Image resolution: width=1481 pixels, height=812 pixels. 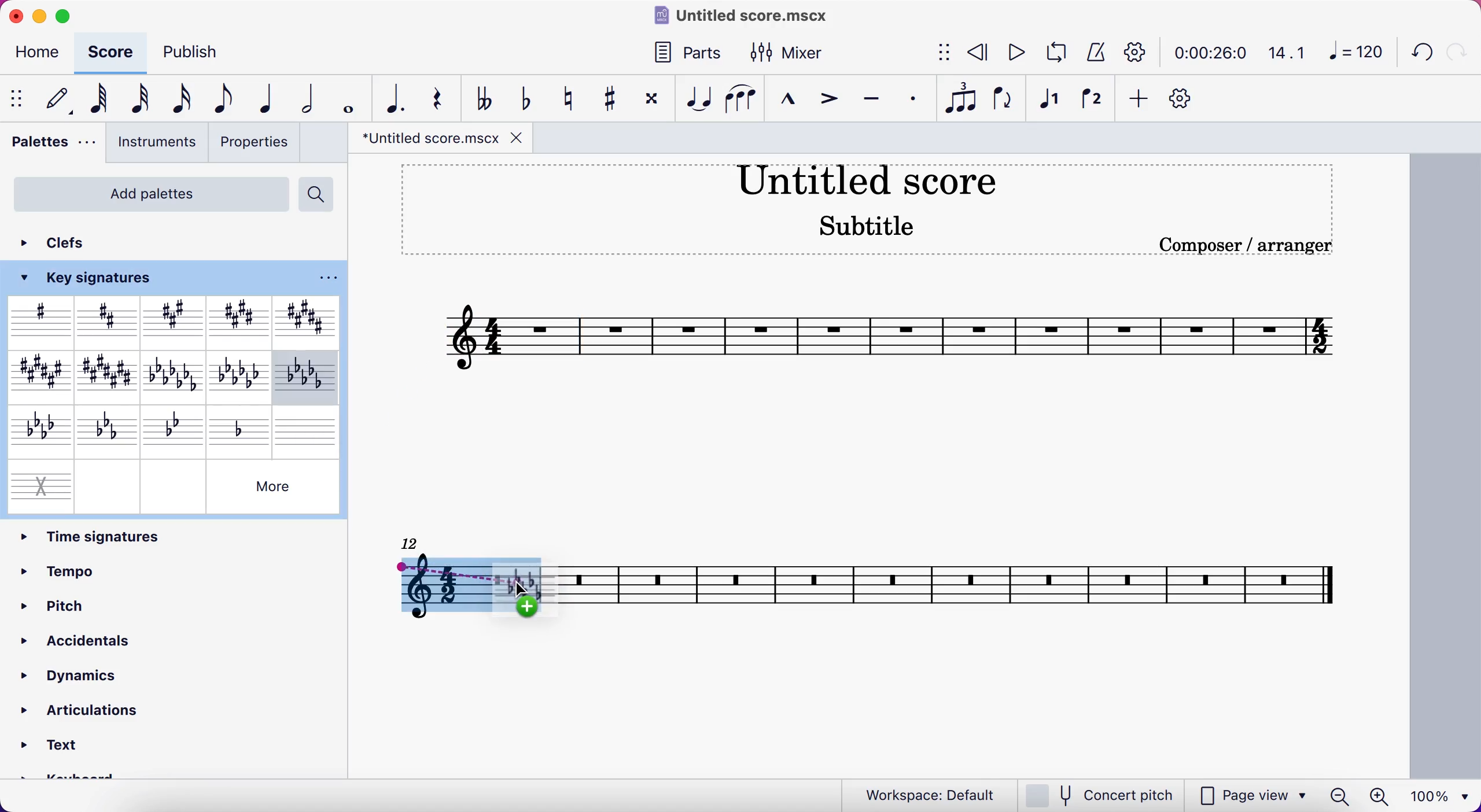 I want to click on maximize, so click(x=68, y=16).